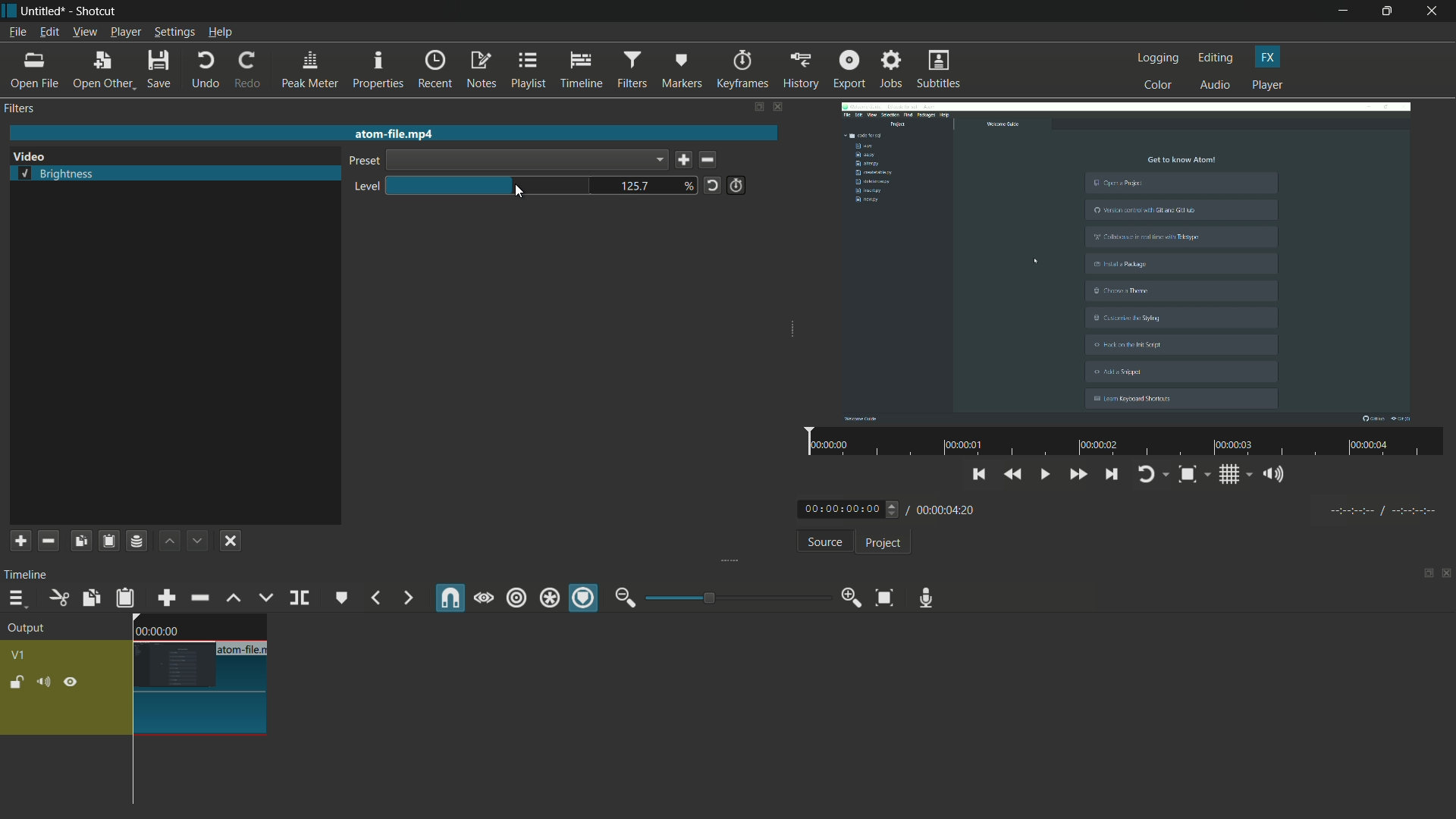 Image resolution: width=1456 pixels, height=819 pixels. What do you see at coordinates (736, 185) in the screenshot?
I see `use keyframes for this parameter` at bounding box center [736, 185].